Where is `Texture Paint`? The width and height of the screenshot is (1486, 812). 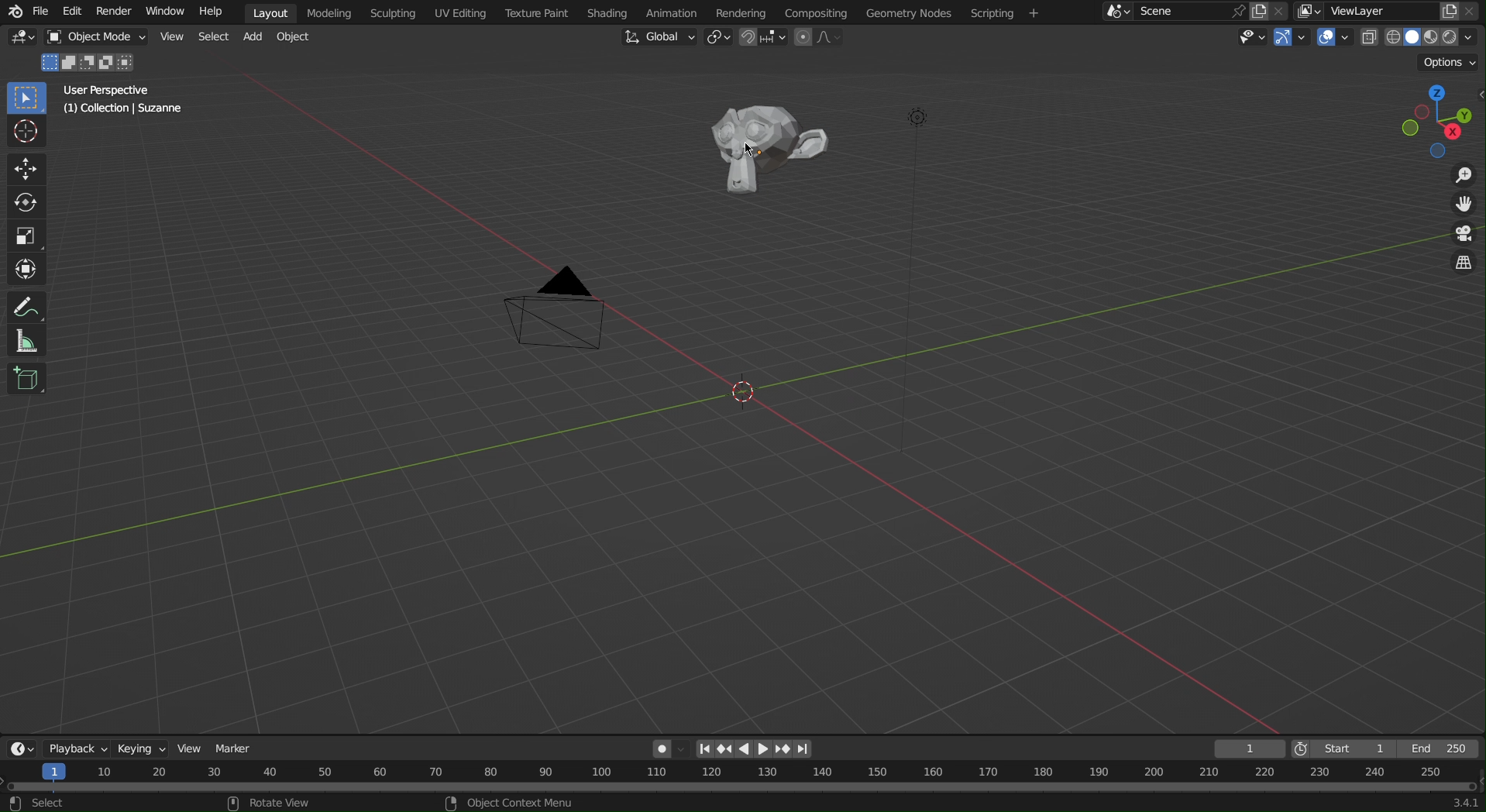
Texture Paint is located at coordinates (538, 14).